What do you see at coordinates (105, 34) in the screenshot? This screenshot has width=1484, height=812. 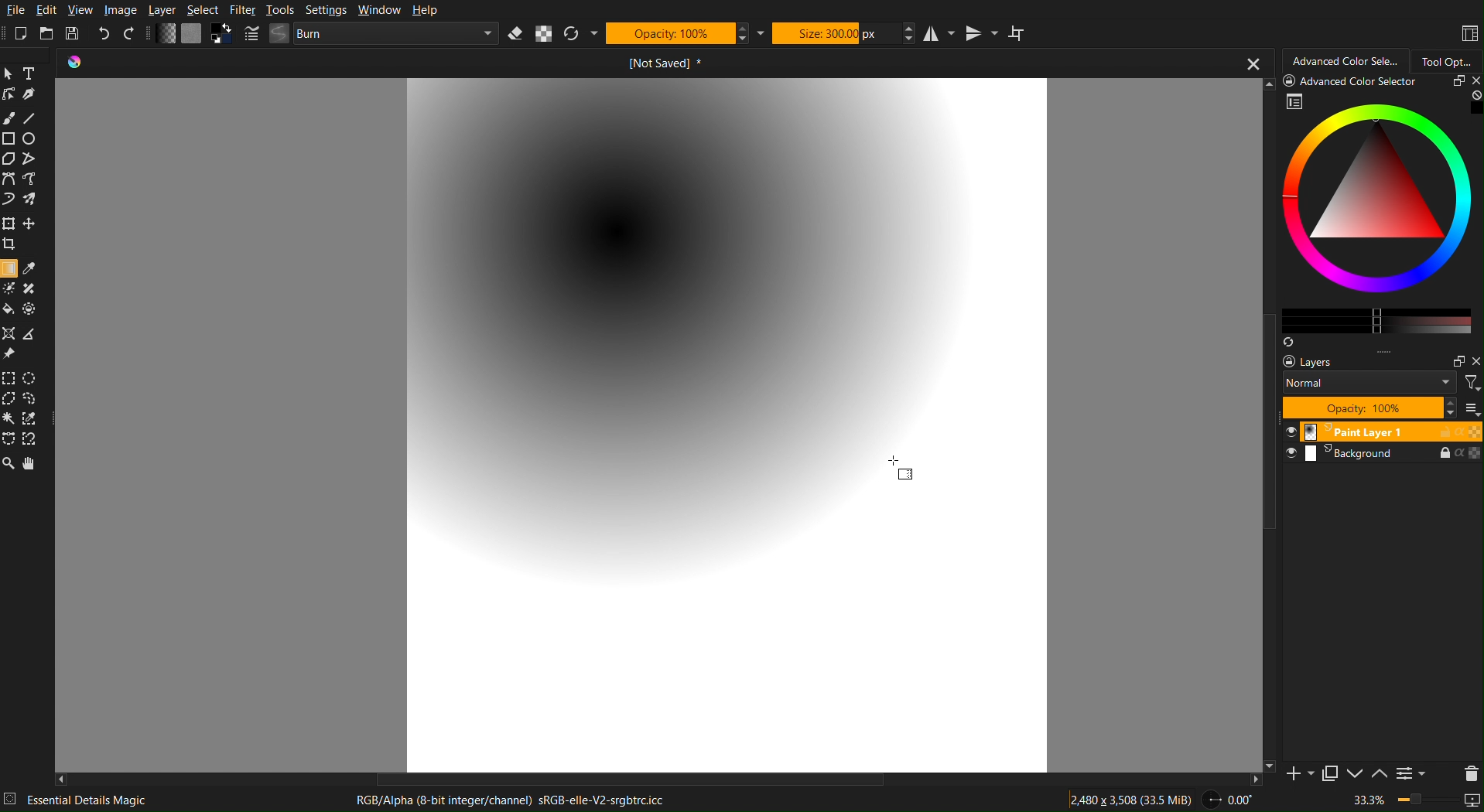 I see `Undo` at bounding box center [105, 34].